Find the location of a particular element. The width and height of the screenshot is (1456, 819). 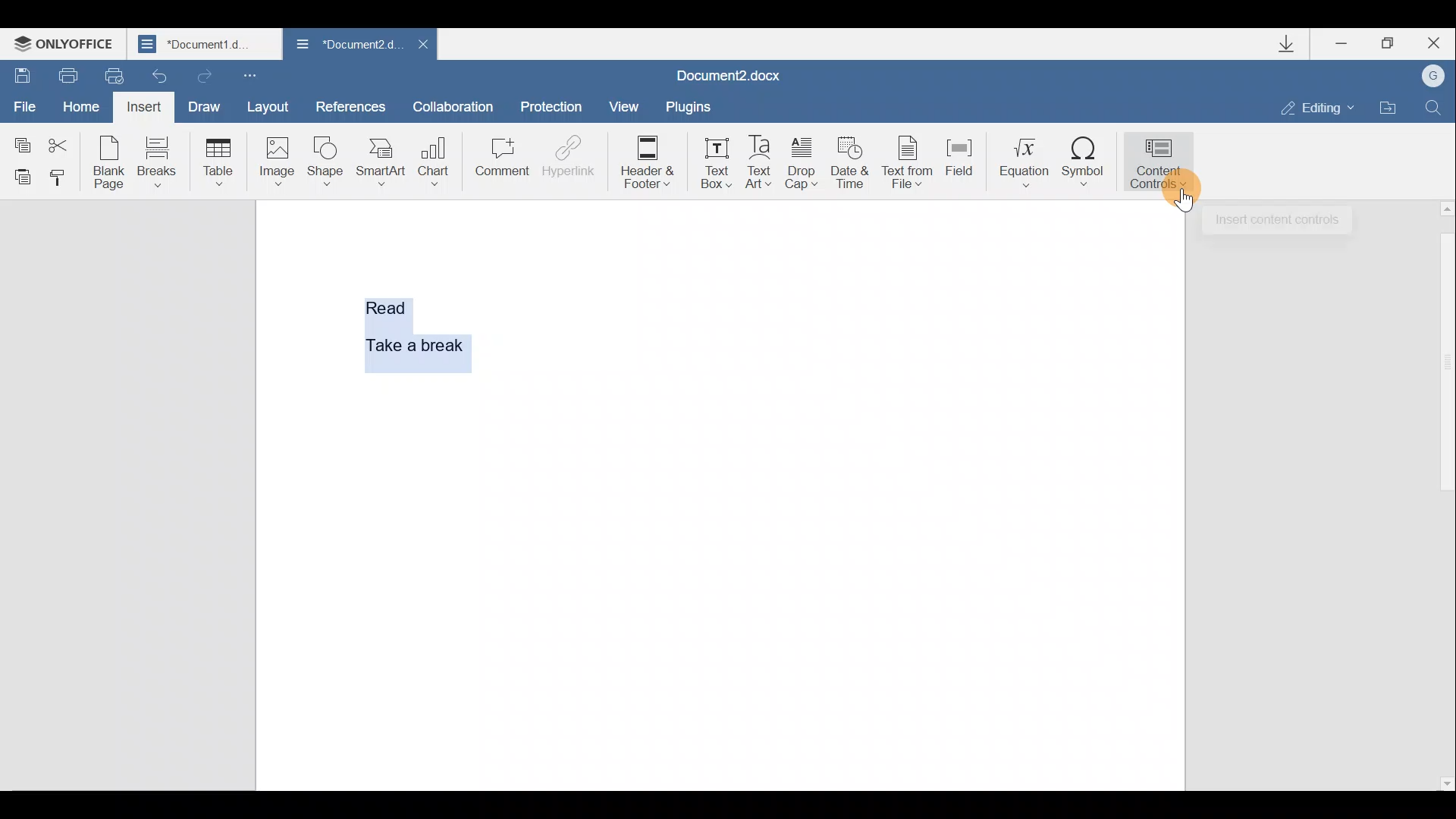

Copy is located at coordinates (20, 137).